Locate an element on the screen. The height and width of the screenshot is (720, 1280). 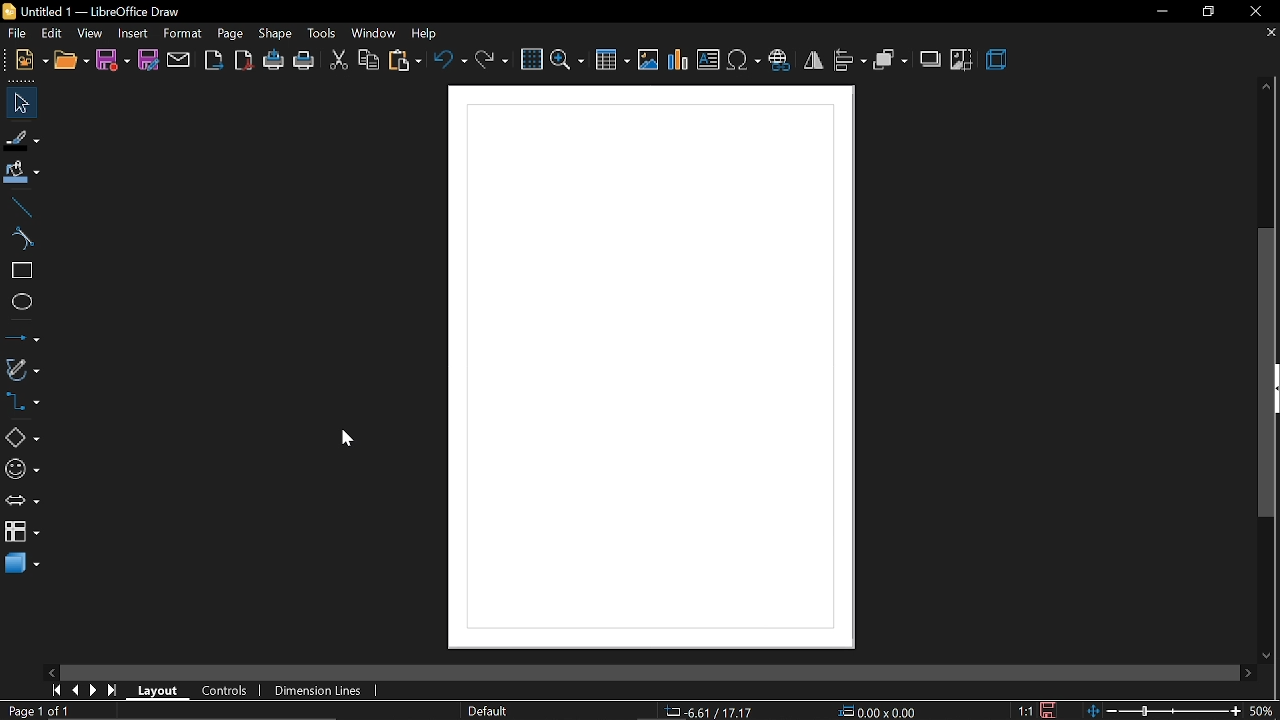
attach is located at coordinates (181, 60).